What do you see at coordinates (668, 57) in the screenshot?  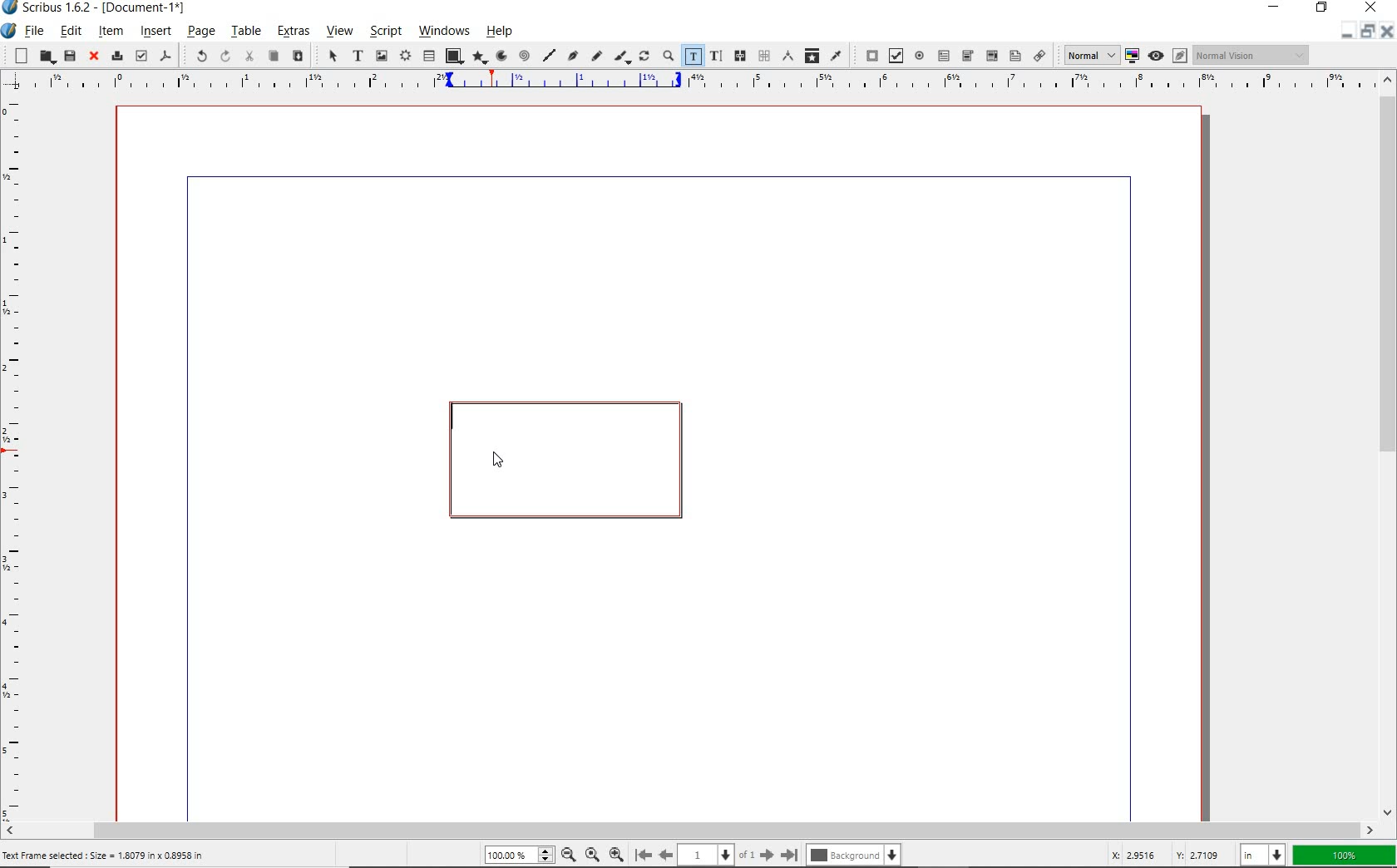 I see `zoom in or zoom out` at bounding box center [668, 57].